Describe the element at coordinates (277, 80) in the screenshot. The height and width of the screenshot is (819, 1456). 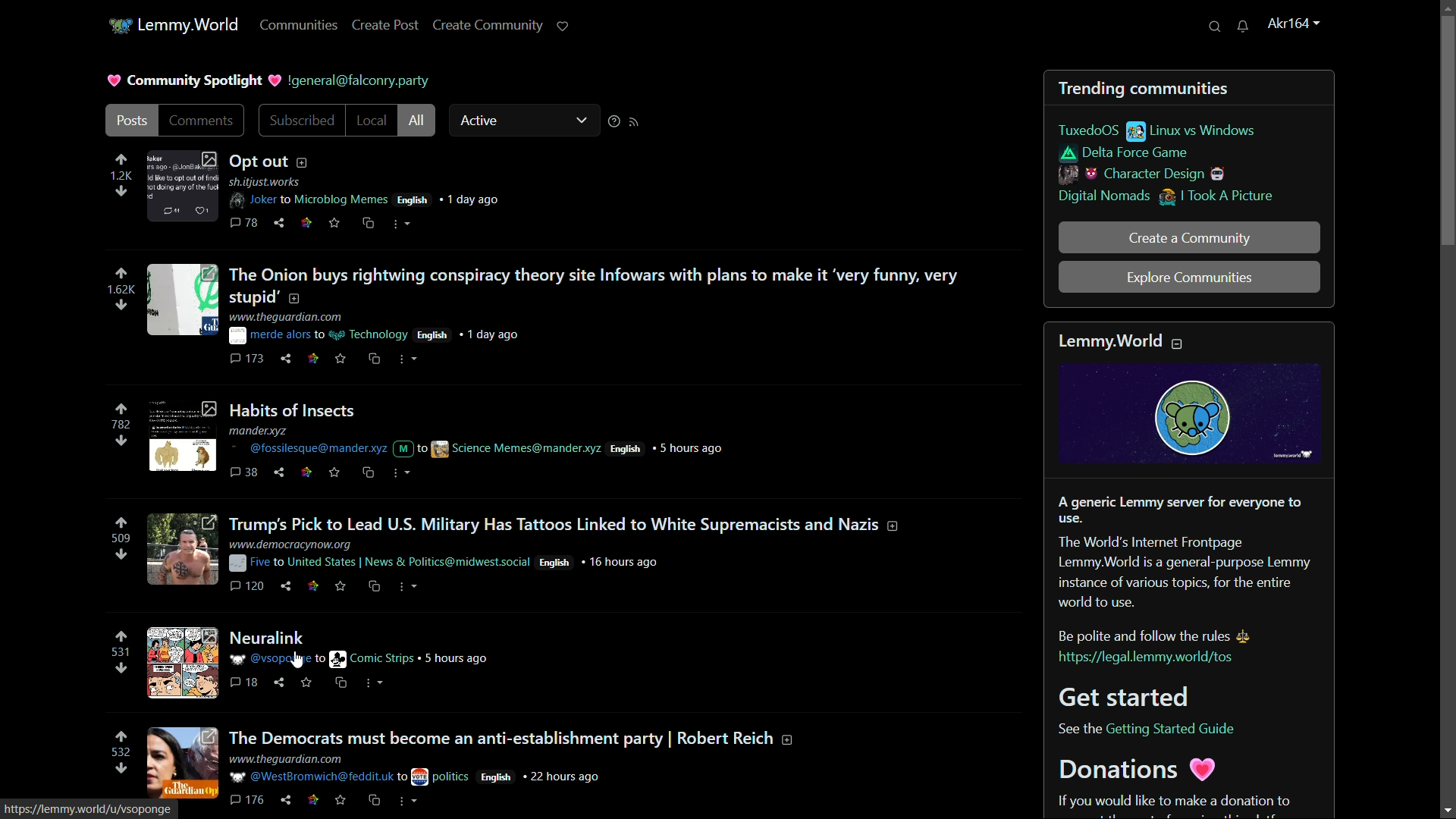
I see `heart` at that location.